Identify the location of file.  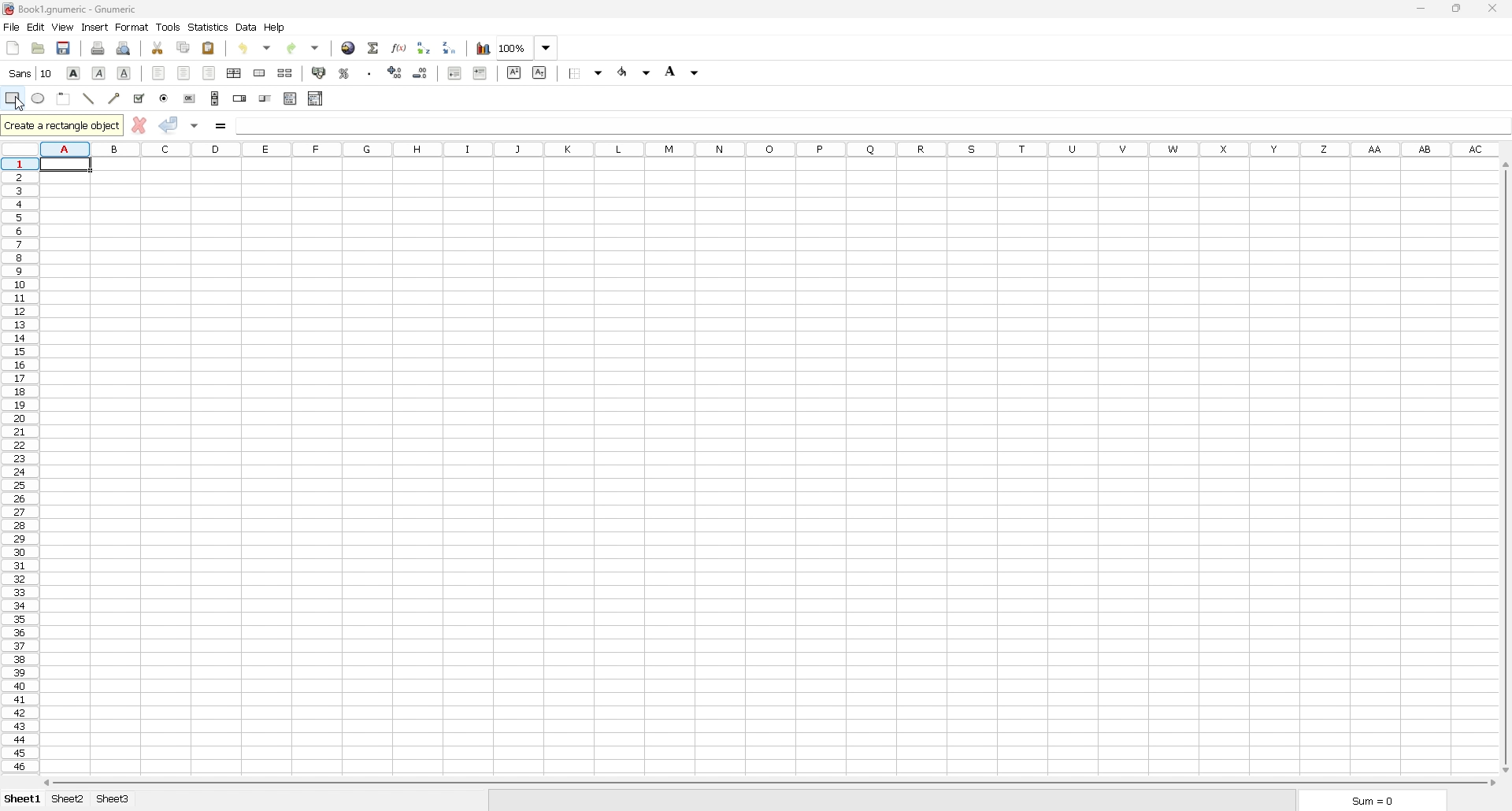
(12, 28).